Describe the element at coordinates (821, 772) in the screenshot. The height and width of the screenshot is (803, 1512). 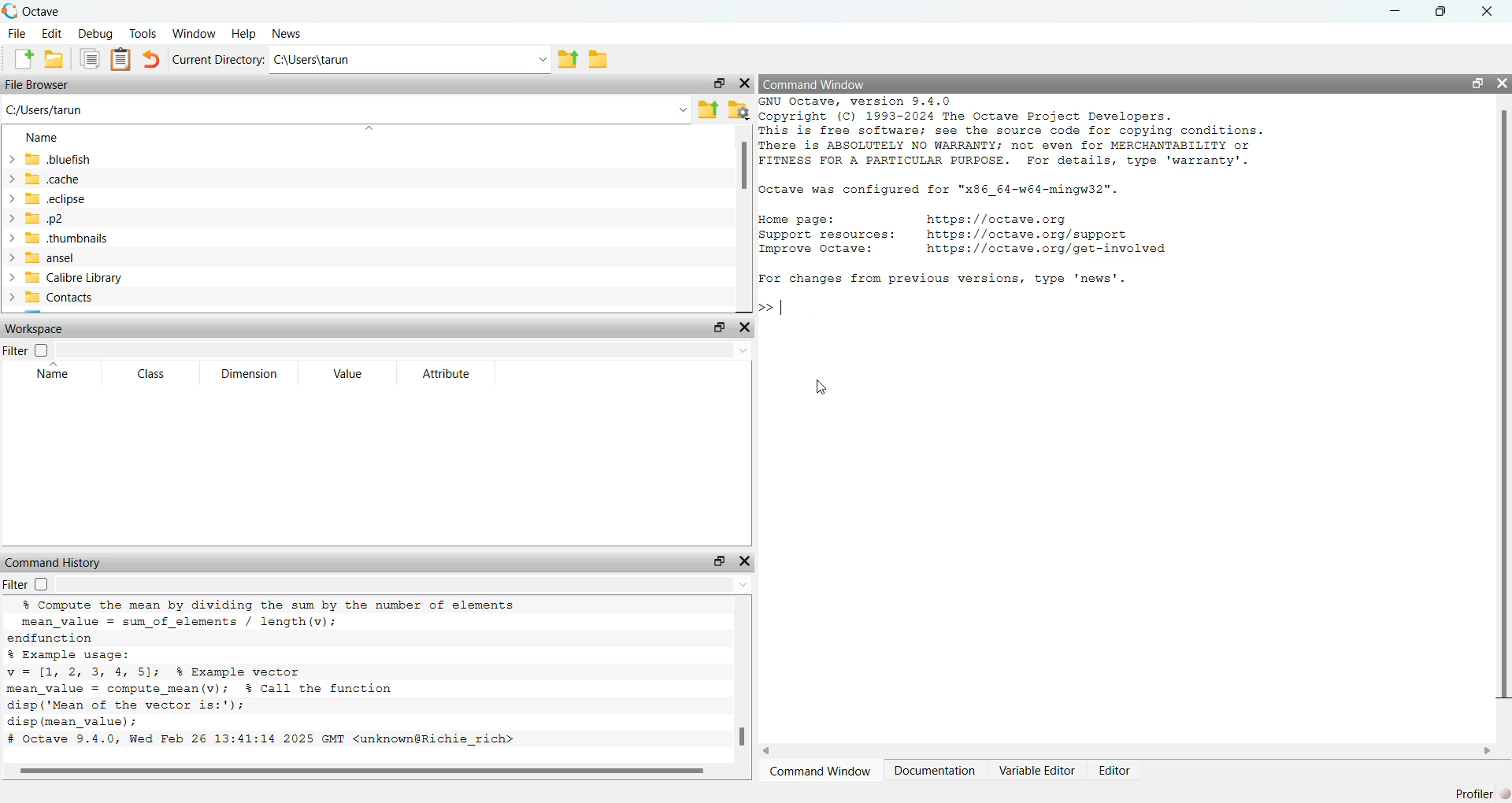
I see `Command Window` at that location.